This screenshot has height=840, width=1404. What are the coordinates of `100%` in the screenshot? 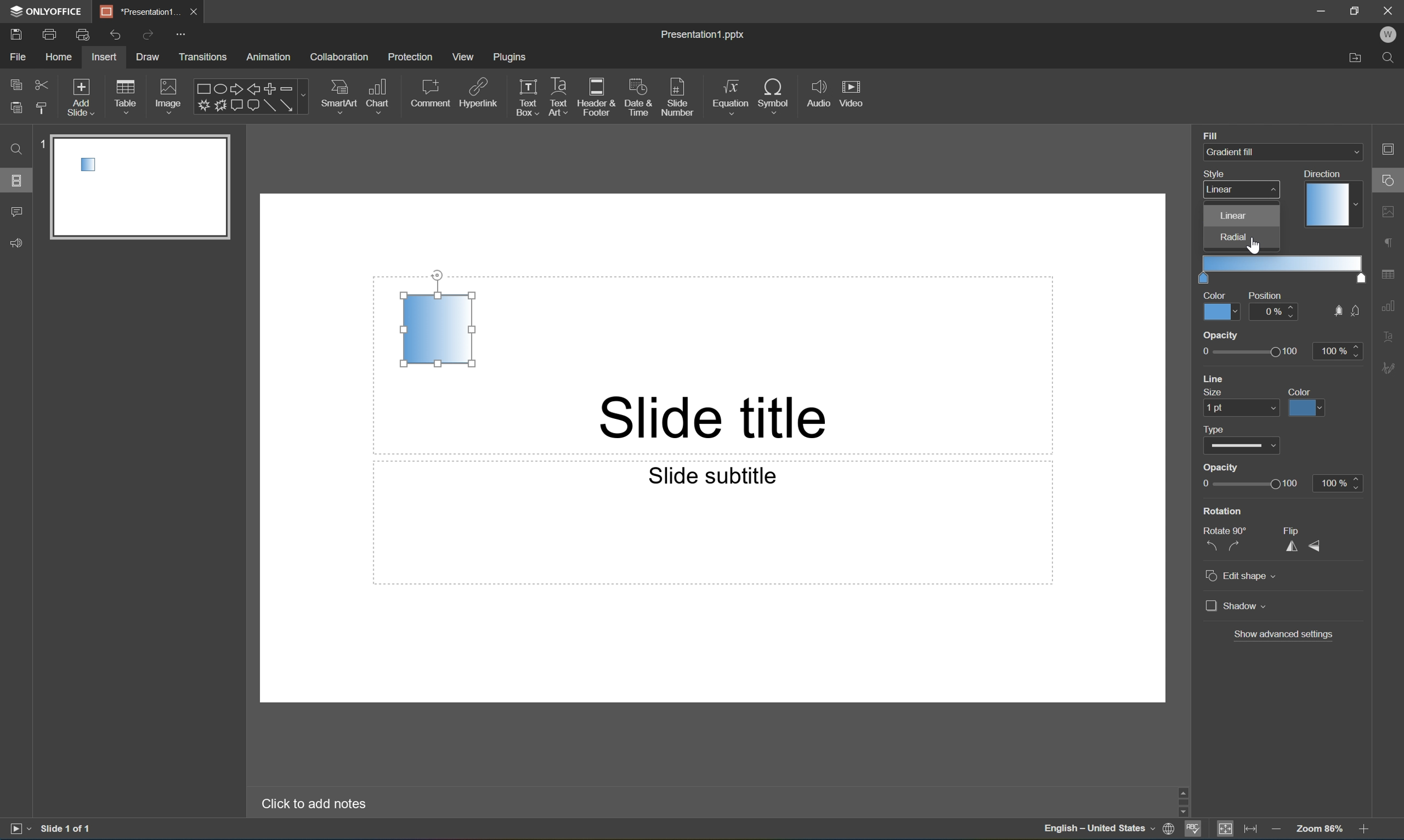 It's located at (1338, 485).